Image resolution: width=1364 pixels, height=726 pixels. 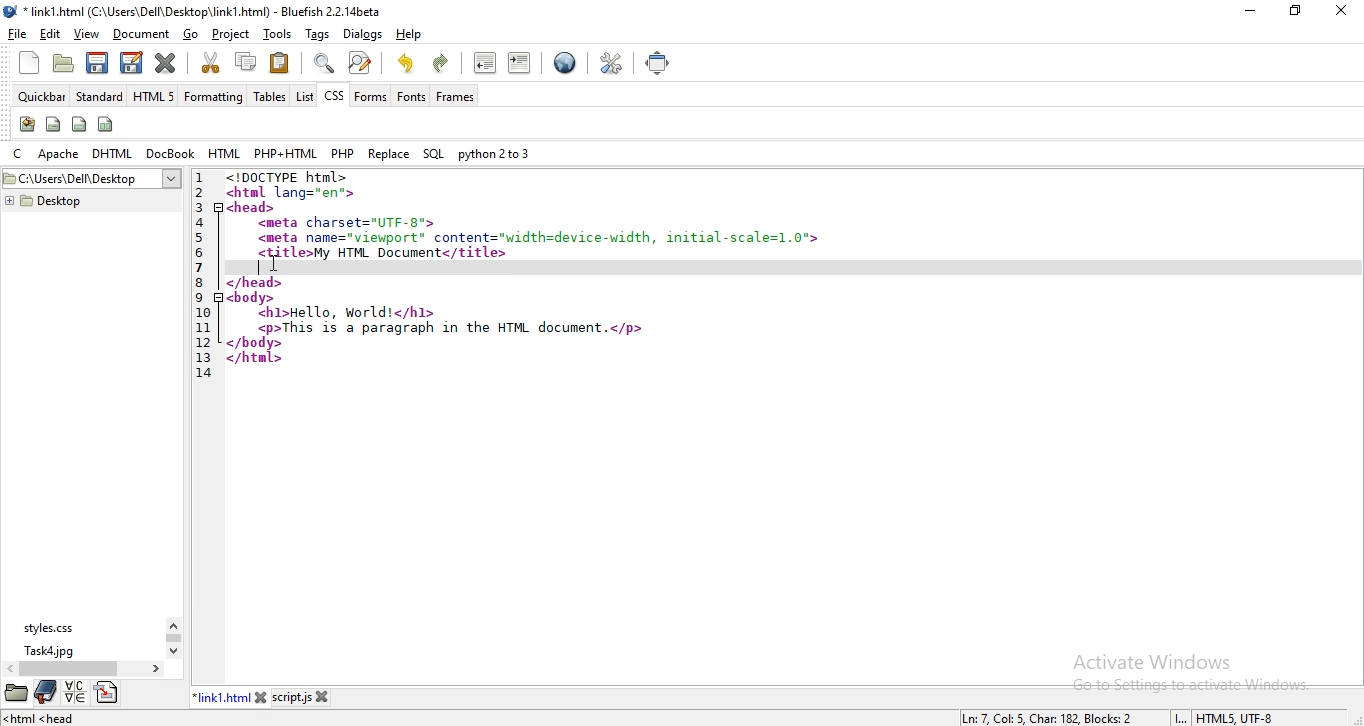 I want to click on div, so click(x=80, y=123).